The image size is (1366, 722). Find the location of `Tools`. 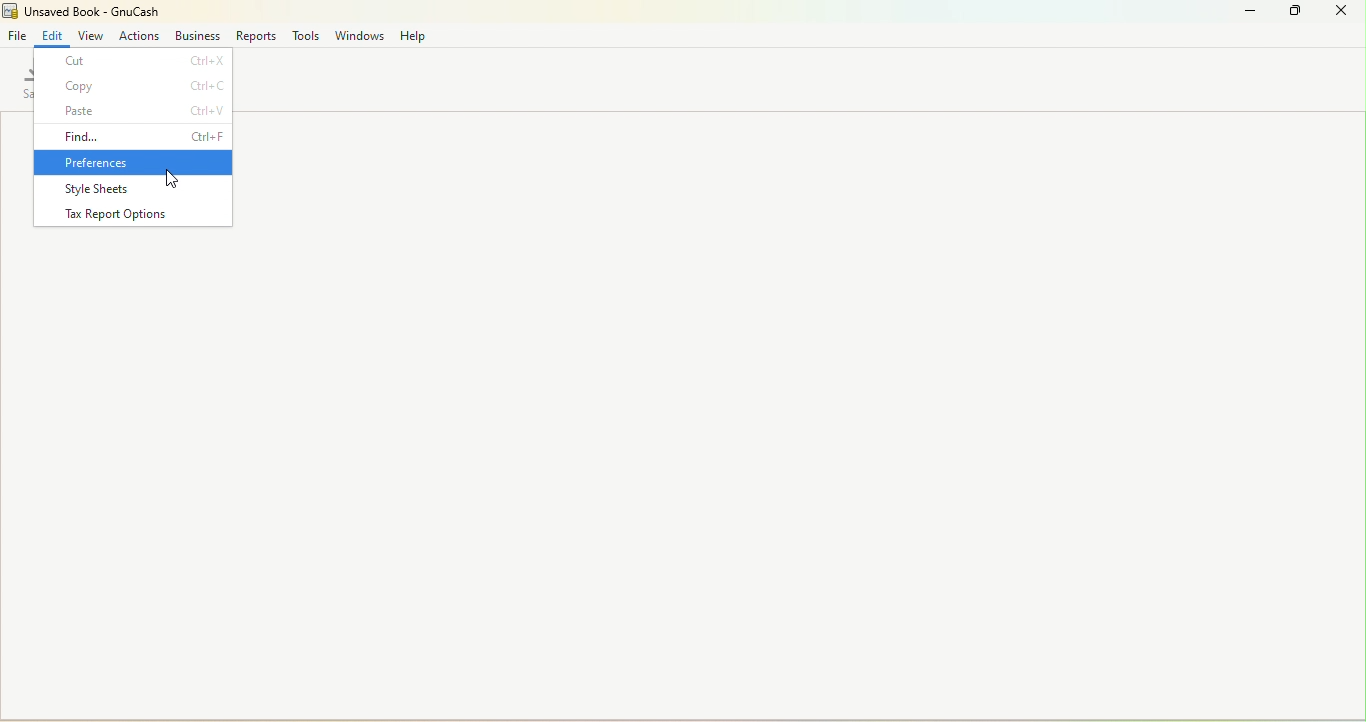

Tools is located at coordinates (307, 36).